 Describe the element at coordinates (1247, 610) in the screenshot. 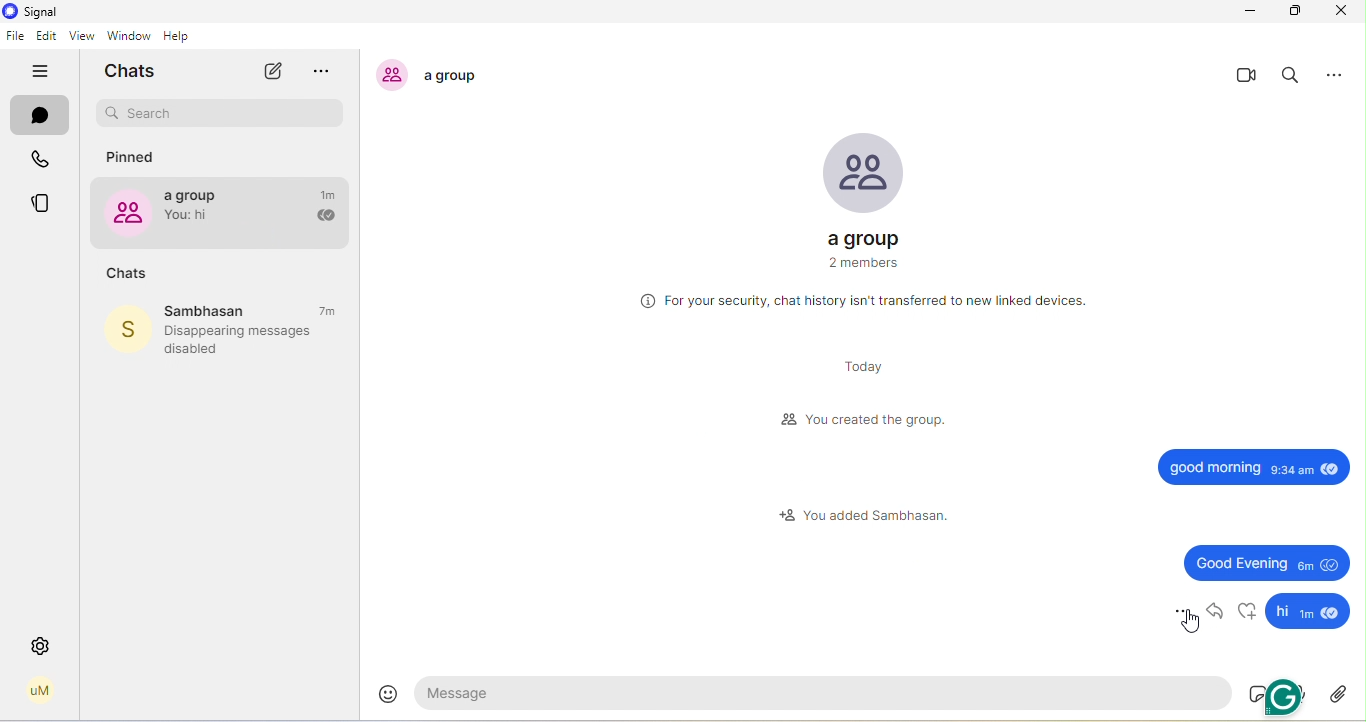

I see `add emoji` at that location.